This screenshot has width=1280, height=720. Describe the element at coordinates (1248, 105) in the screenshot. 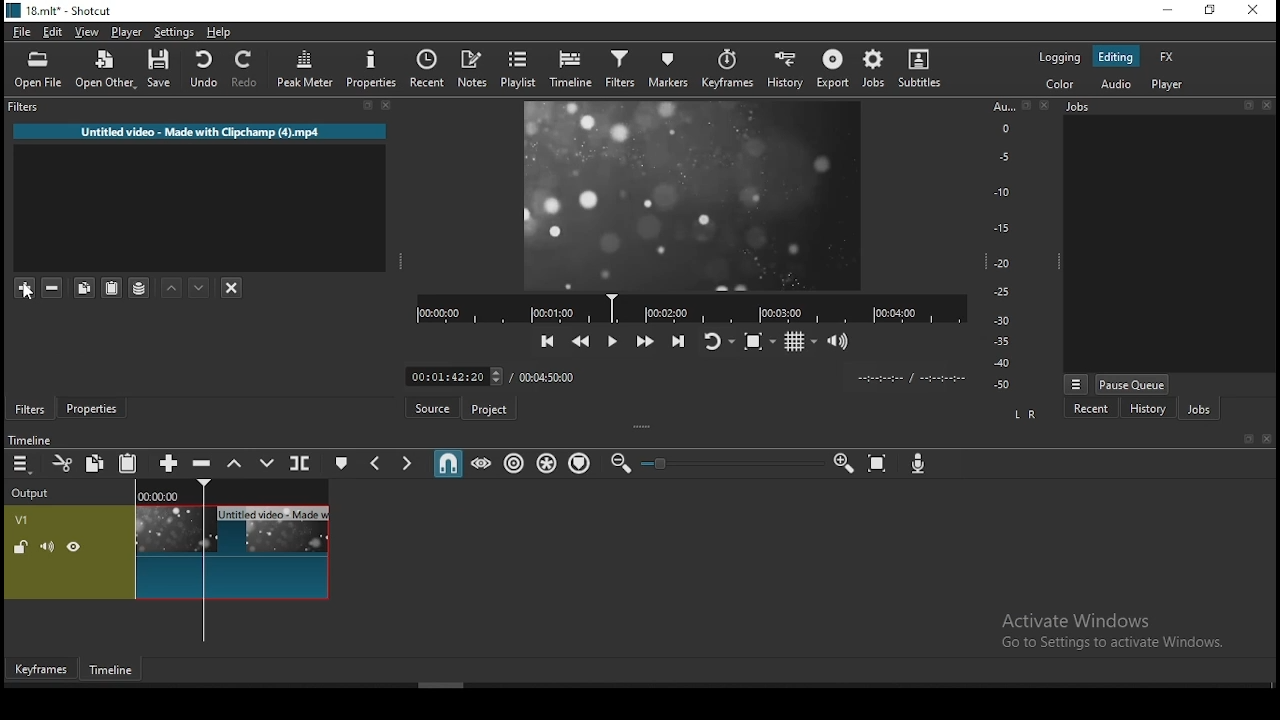

I see `Detach` at that location.